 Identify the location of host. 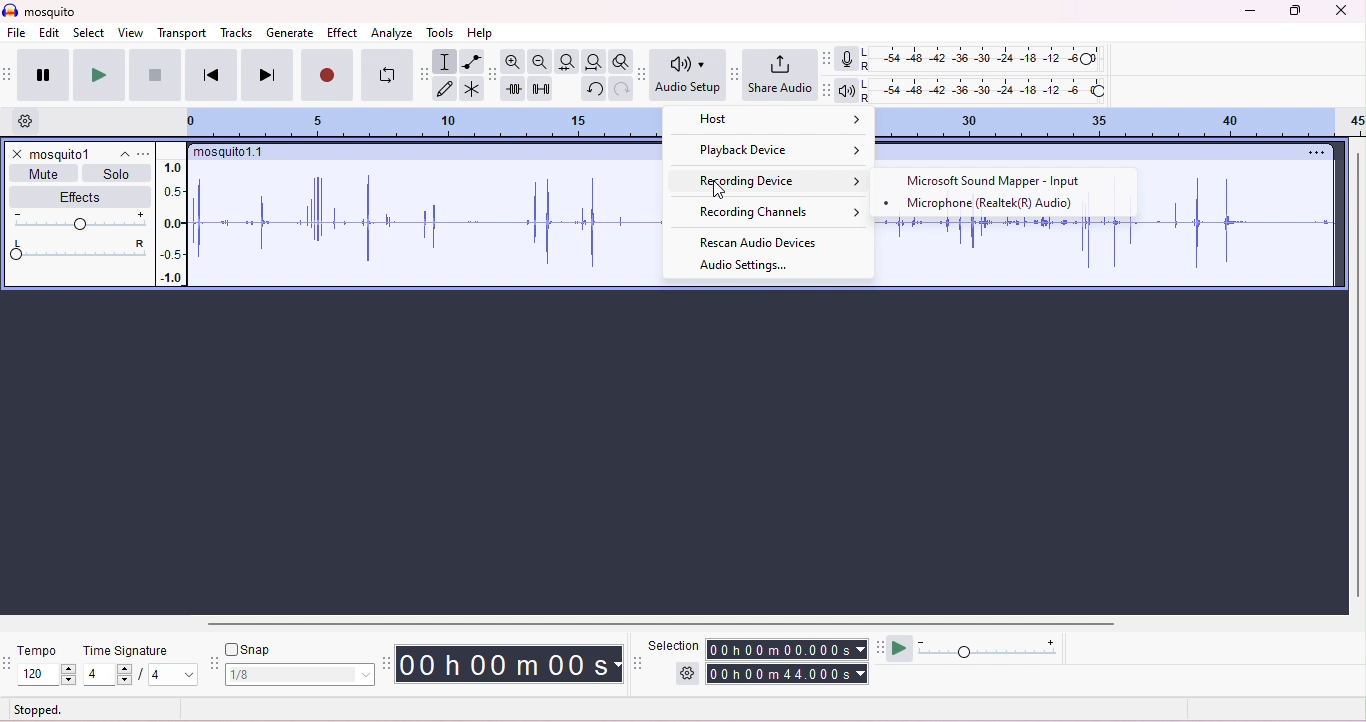
(774, 124).